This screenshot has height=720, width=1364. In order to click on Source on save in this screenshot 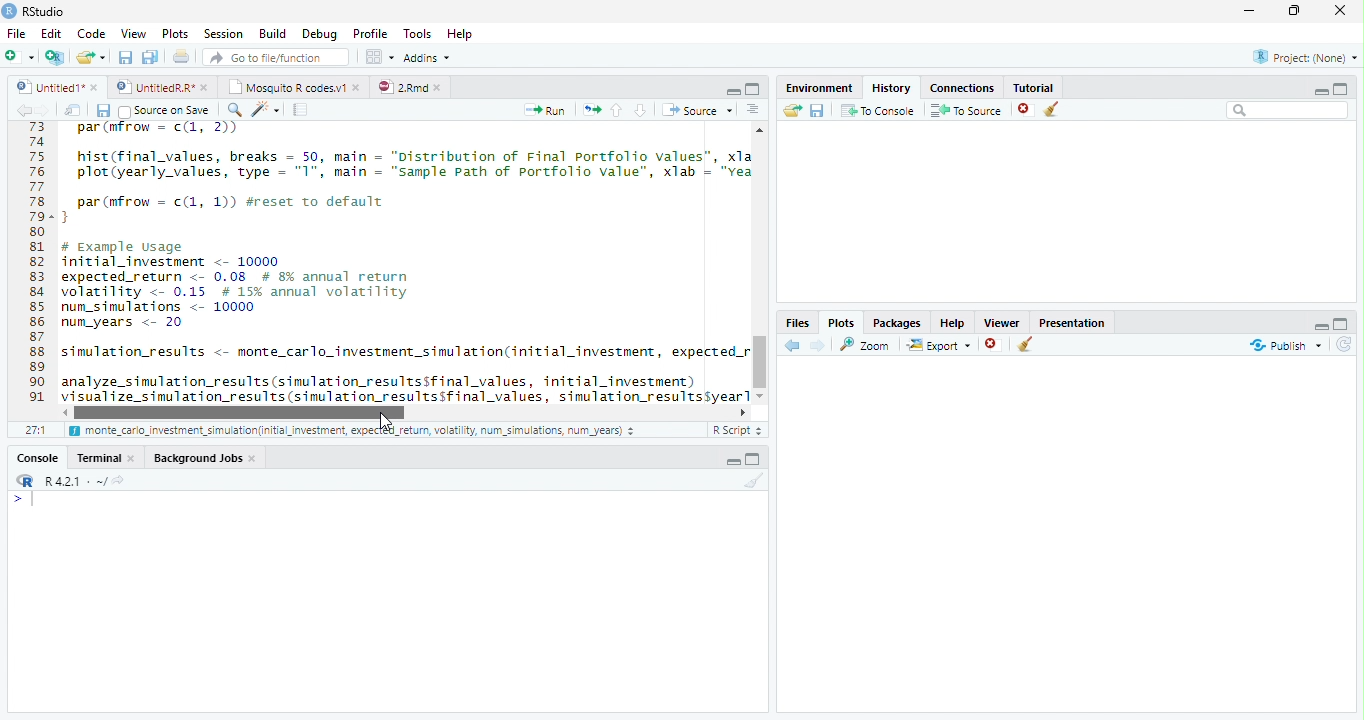, I will do `click(166, 111)`.